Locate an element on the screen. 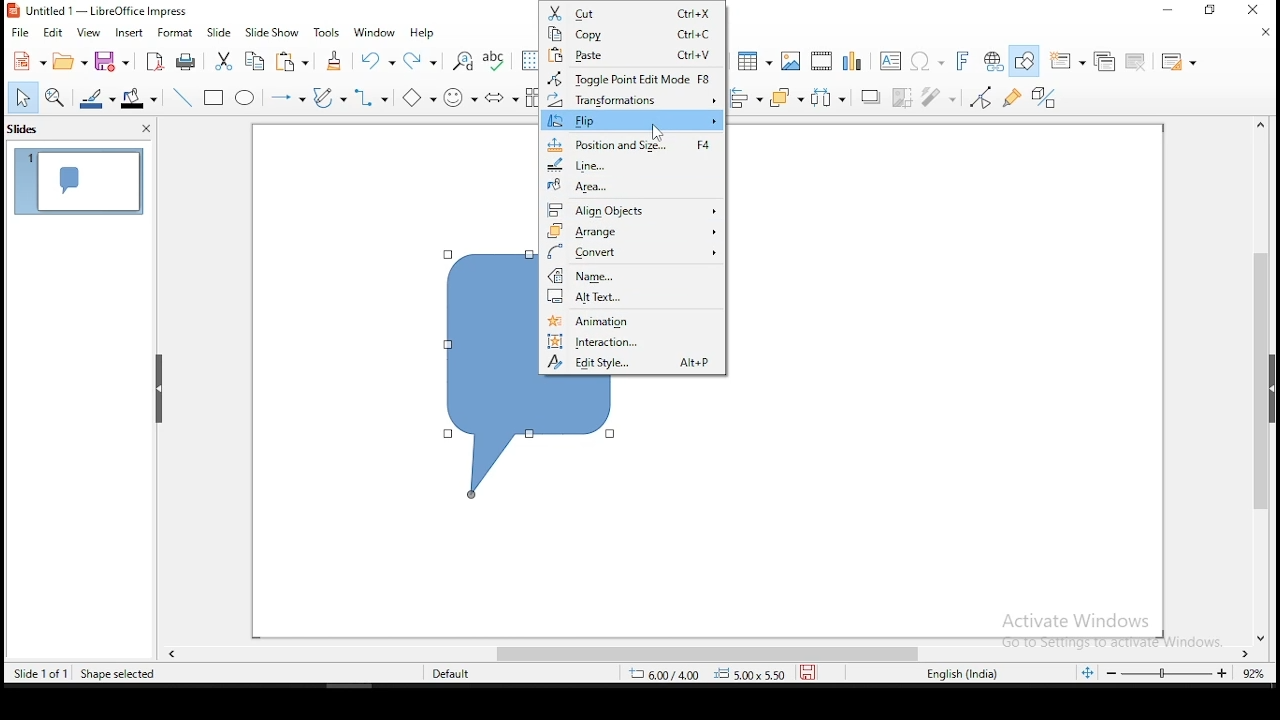  slide 1 of 1 is located at coordinates (36, 674).